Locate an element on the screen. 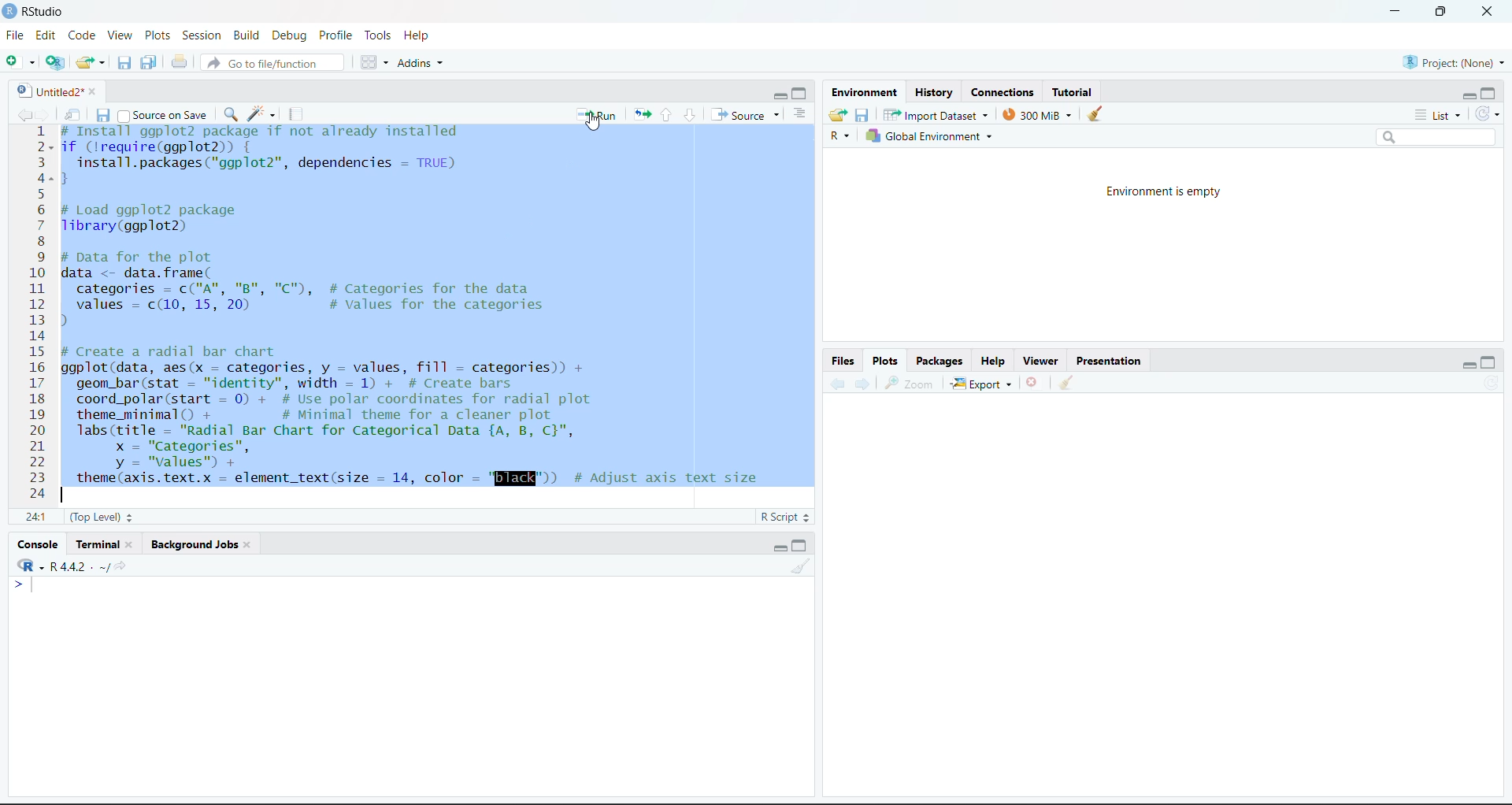 The image size is (1512, 805). 1:1 is located at coordinates (35, 517).